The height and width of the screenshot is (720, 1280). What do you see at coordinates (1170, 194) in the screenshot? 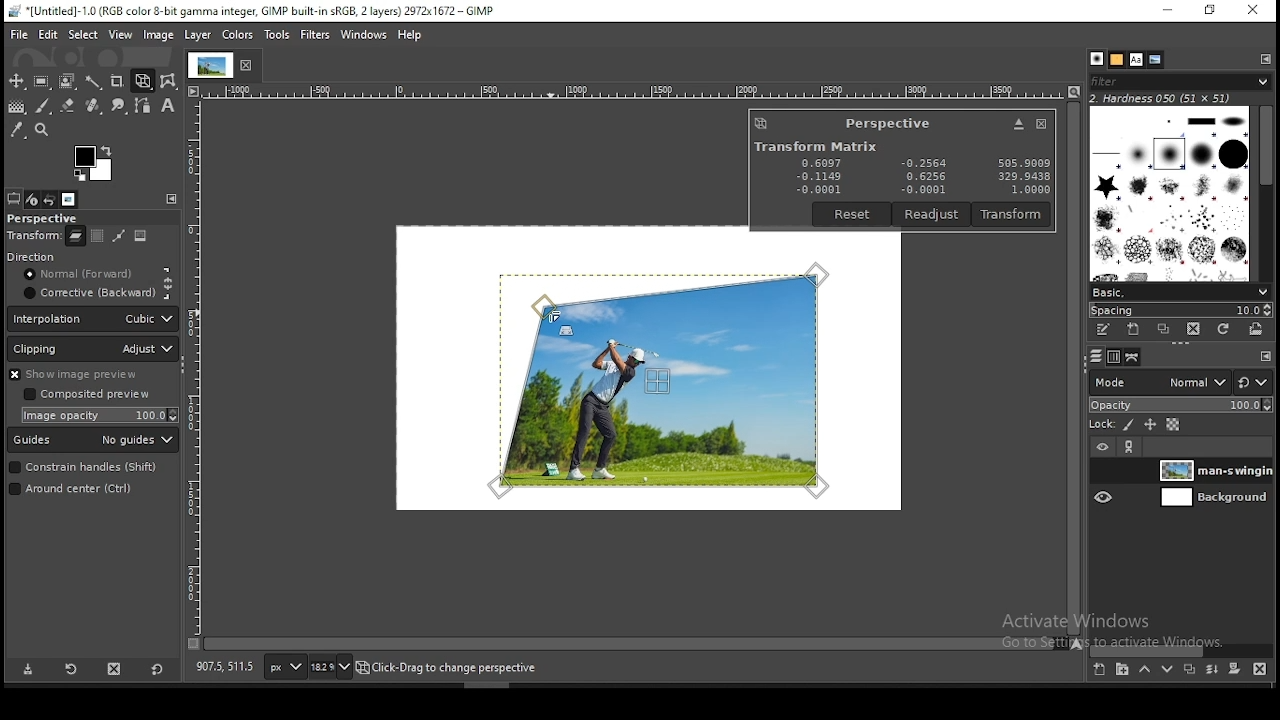
I see `brushes` at bounding box center [1170, 194].